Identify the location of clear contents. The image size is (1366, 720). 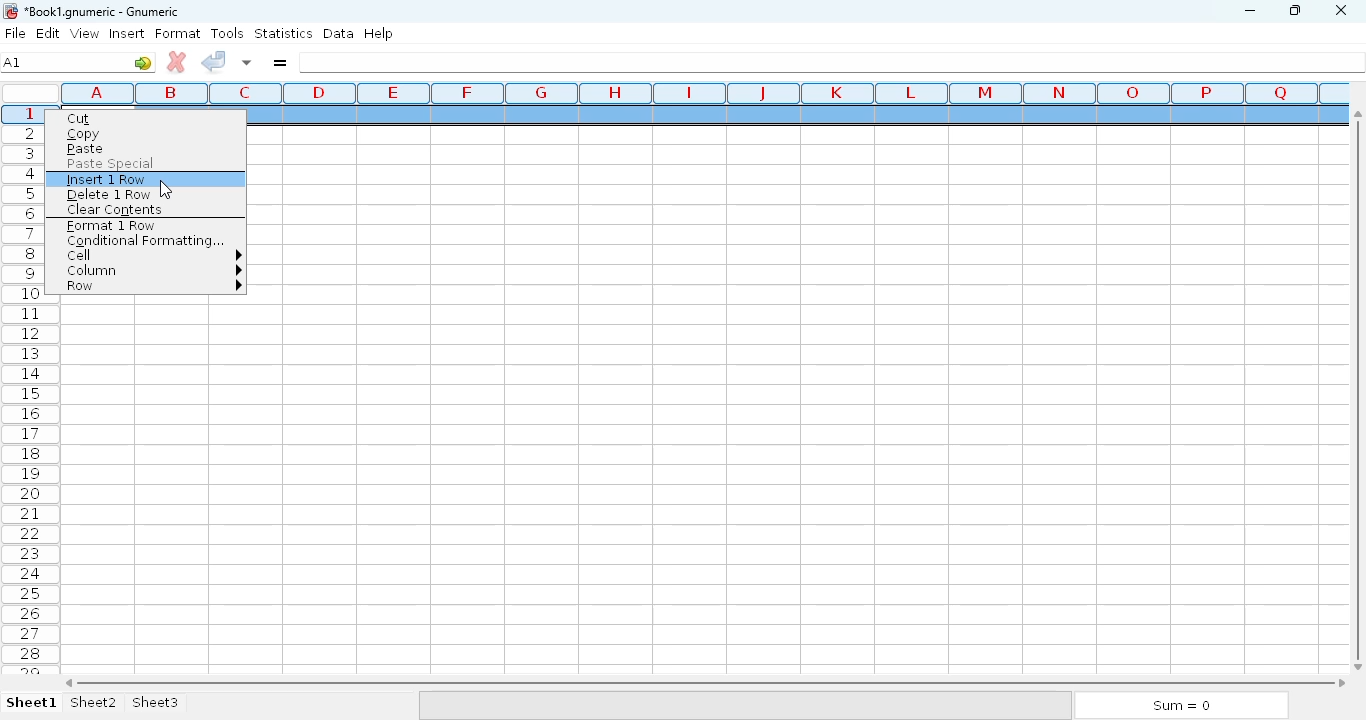
(115, 210).